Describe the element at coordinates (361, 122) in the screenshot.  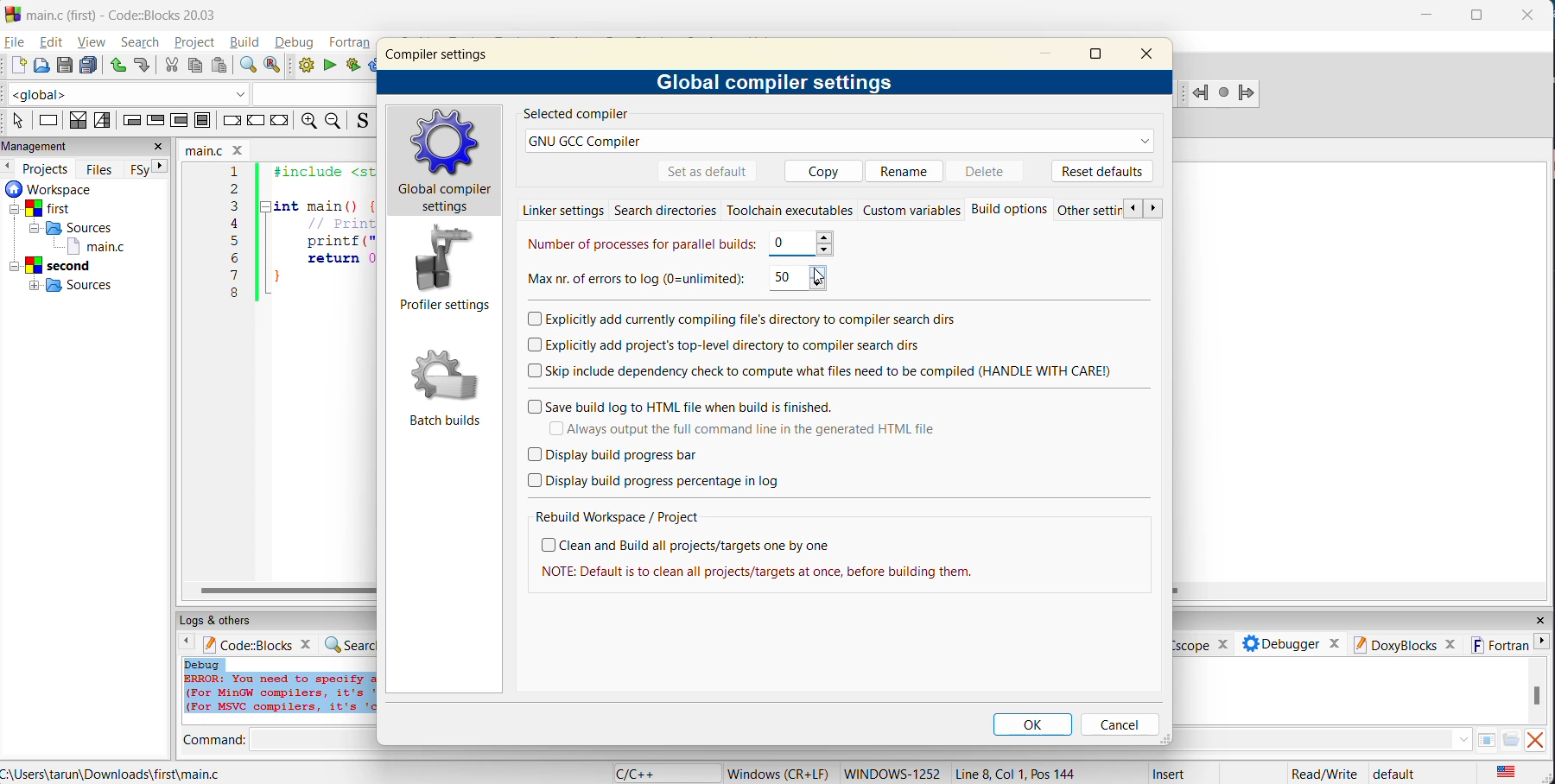
I see `toggle source` at that location.